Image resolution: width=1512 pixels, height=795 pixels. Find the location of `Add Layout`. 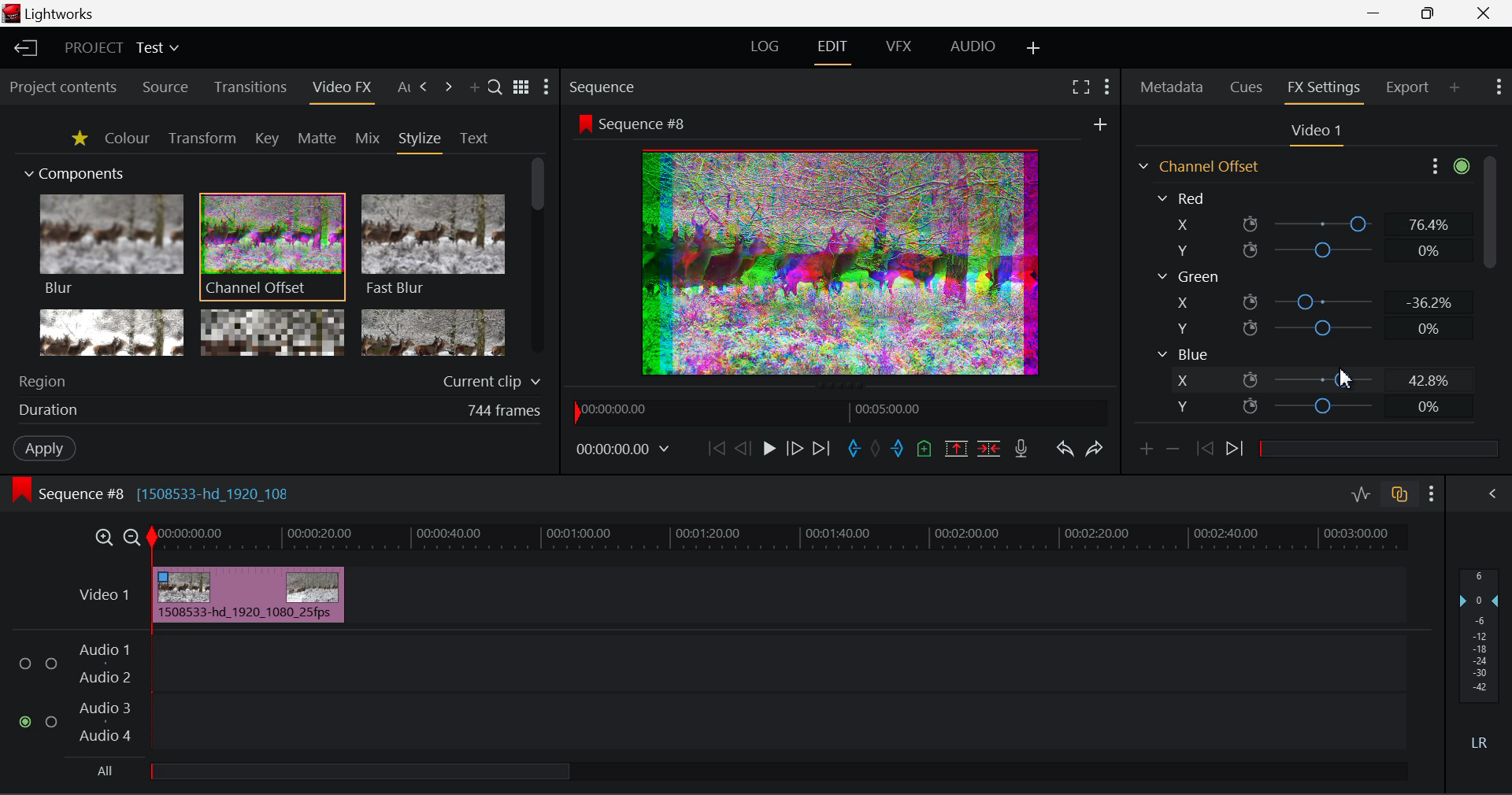

Add Layout is located at coordinates (1034, 51).